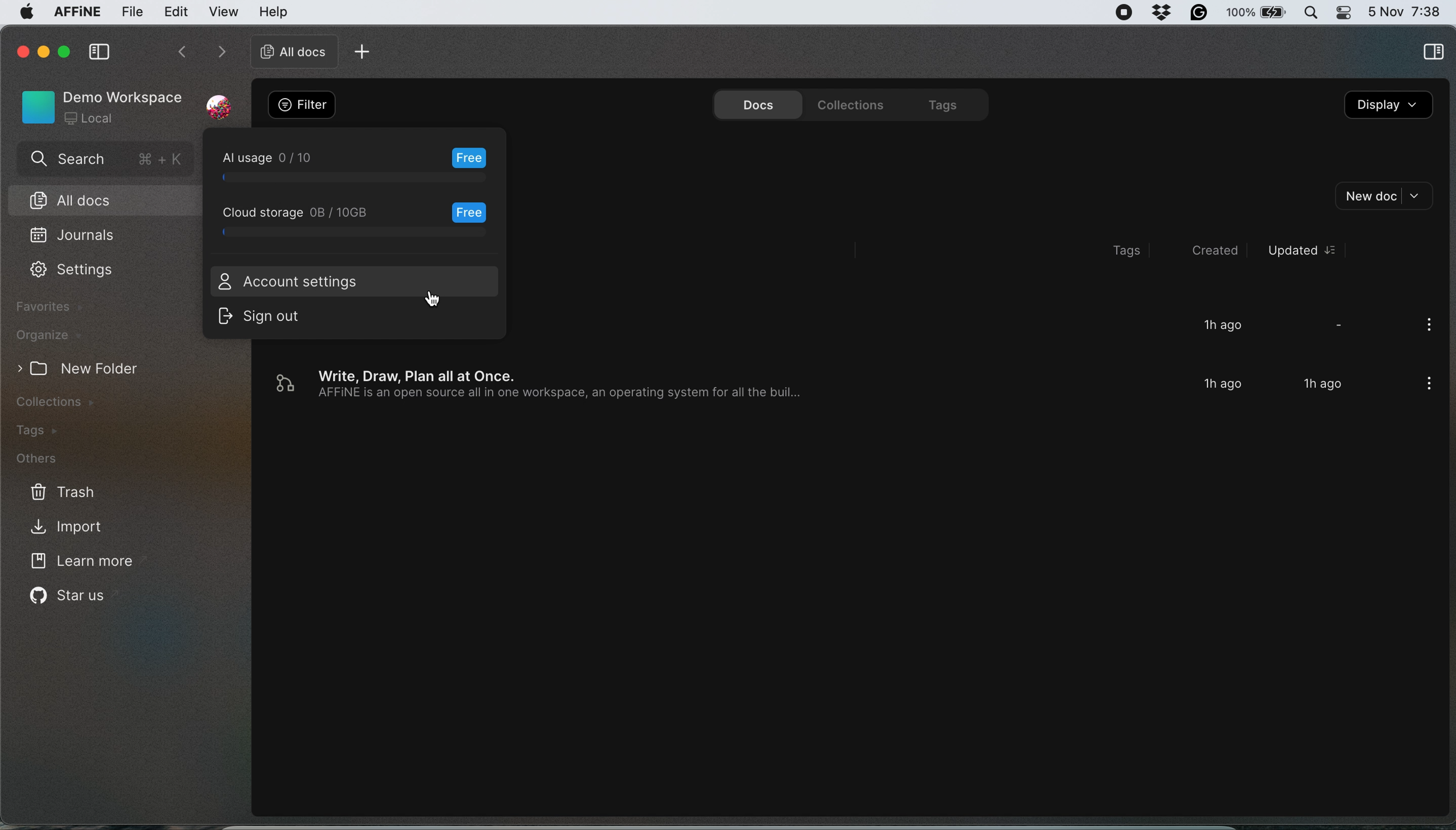 The image size is (1456, 830). Describe the element at coordinates (99, 53) in the screenshot. I see `collapse side bar` at that location.